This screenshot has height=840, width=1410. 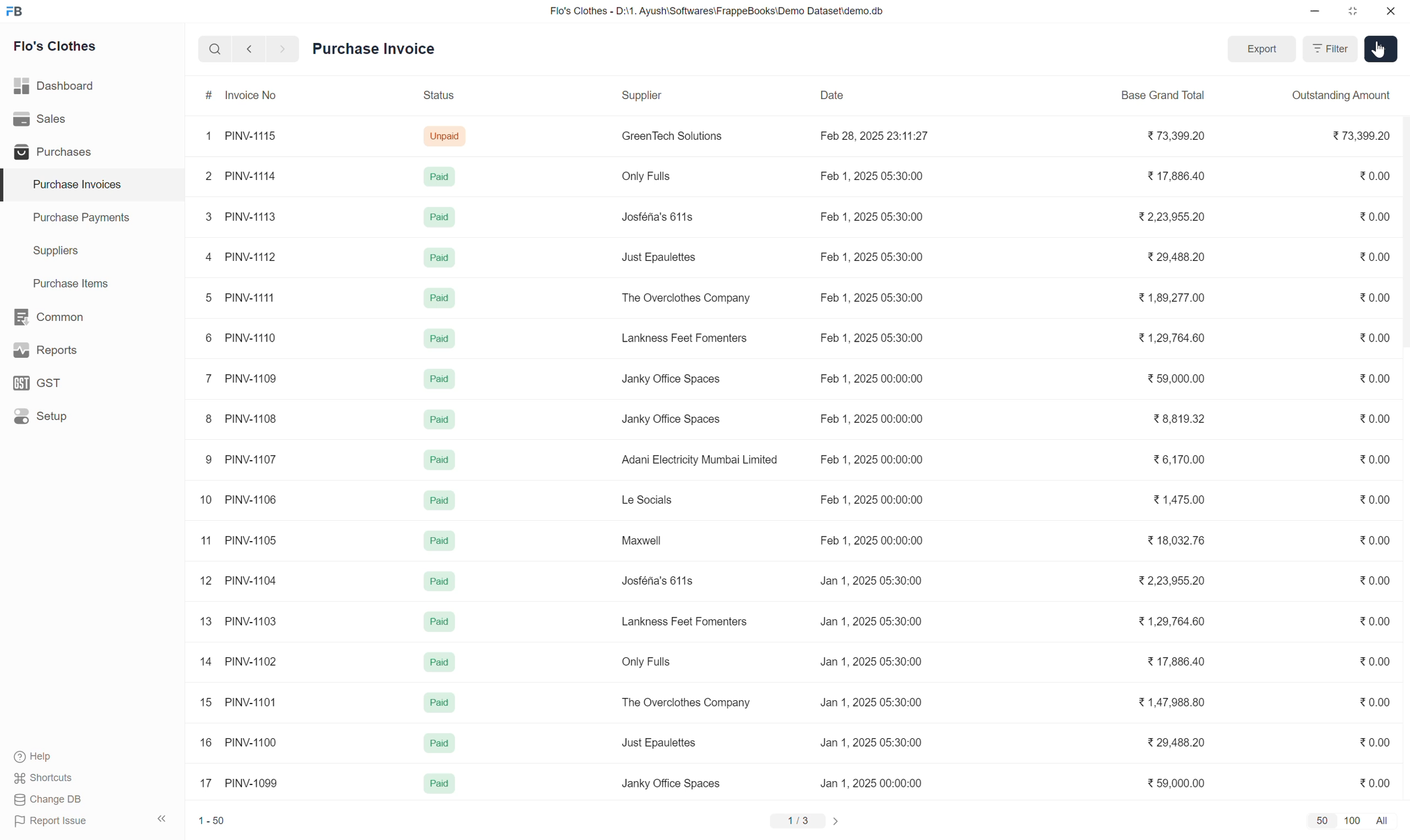 I want to click on Just Epaulettes, so click(x=660, y=255).